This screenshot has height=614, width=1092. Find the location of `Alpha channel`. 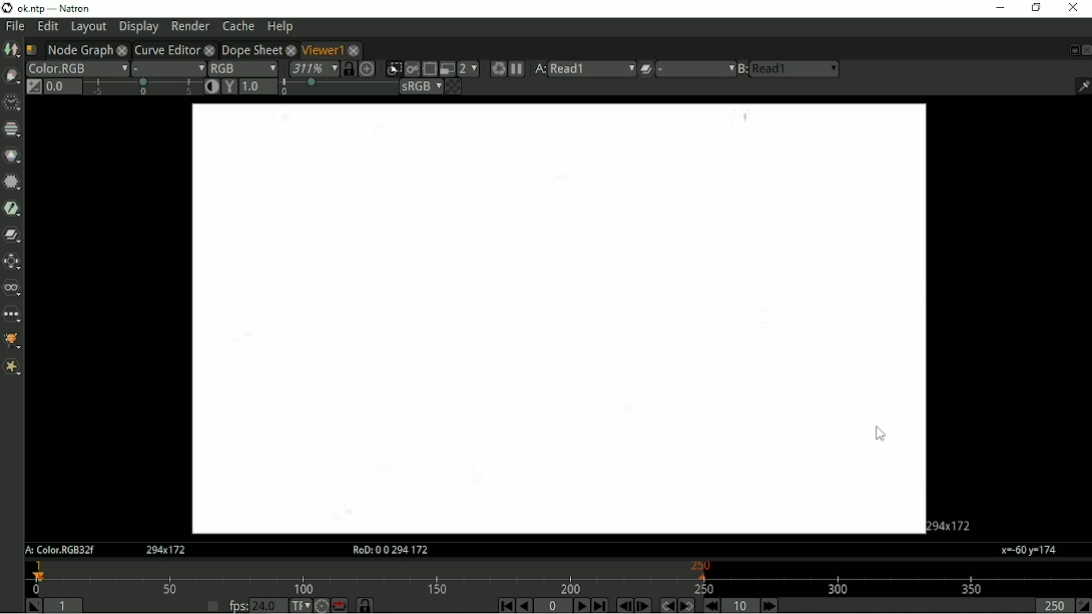

Alpha channel is located at coordinates (168, 68).